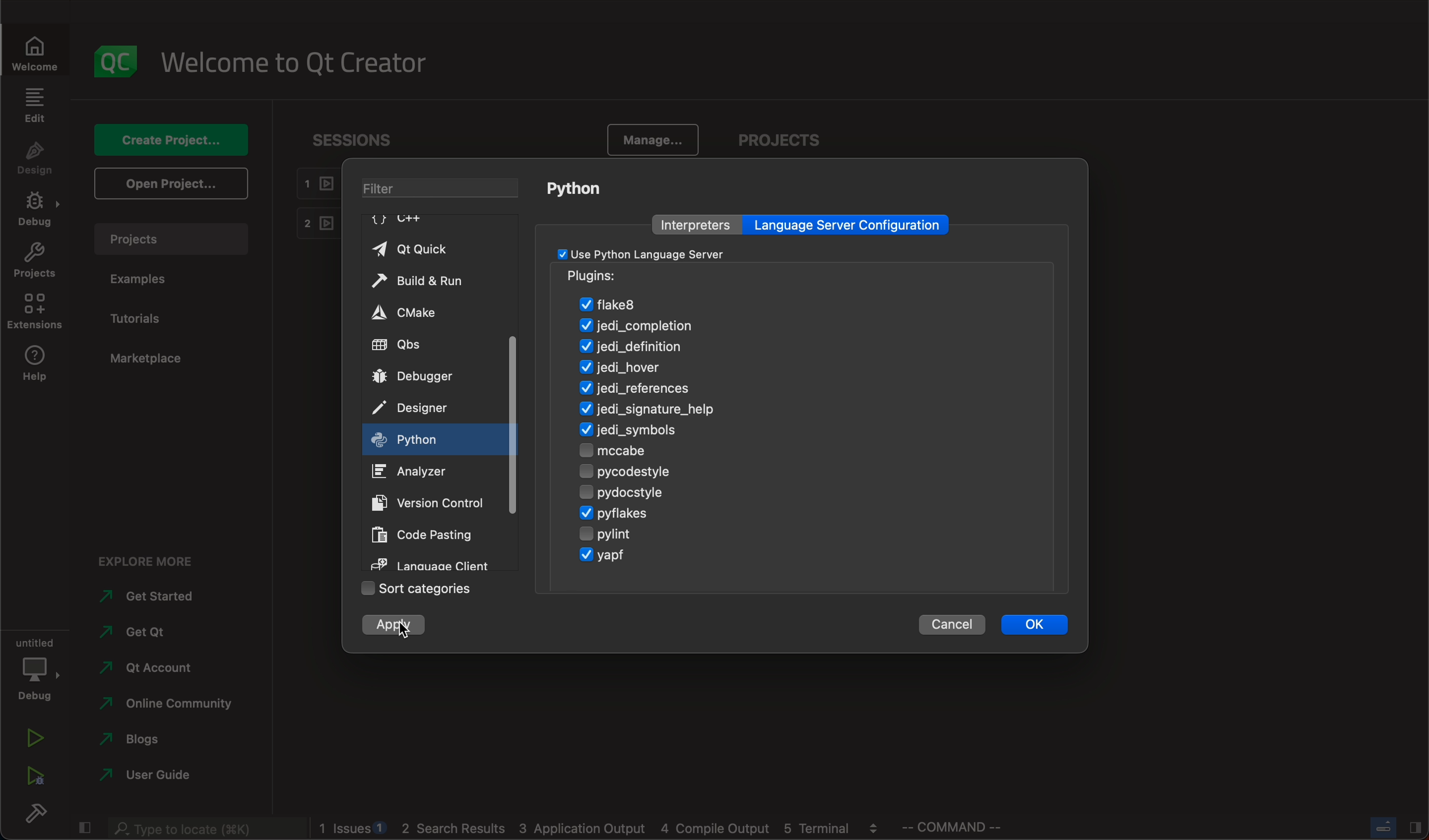 The image size is (1429, 840). I want to click on qt, so click(145, 630).